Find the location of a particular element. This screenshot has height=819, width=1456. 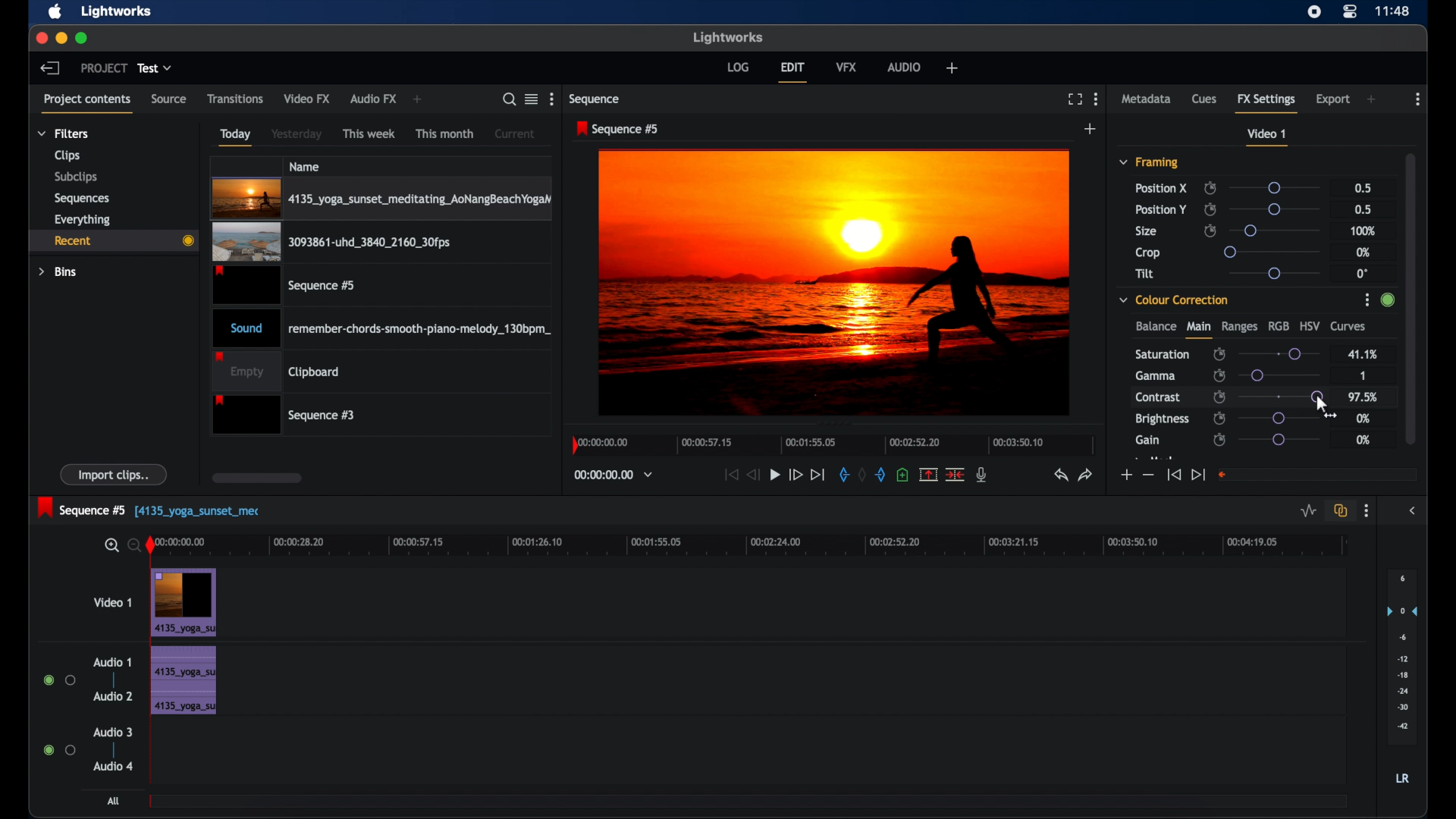

brightness is located at coordinates (1163, 419).